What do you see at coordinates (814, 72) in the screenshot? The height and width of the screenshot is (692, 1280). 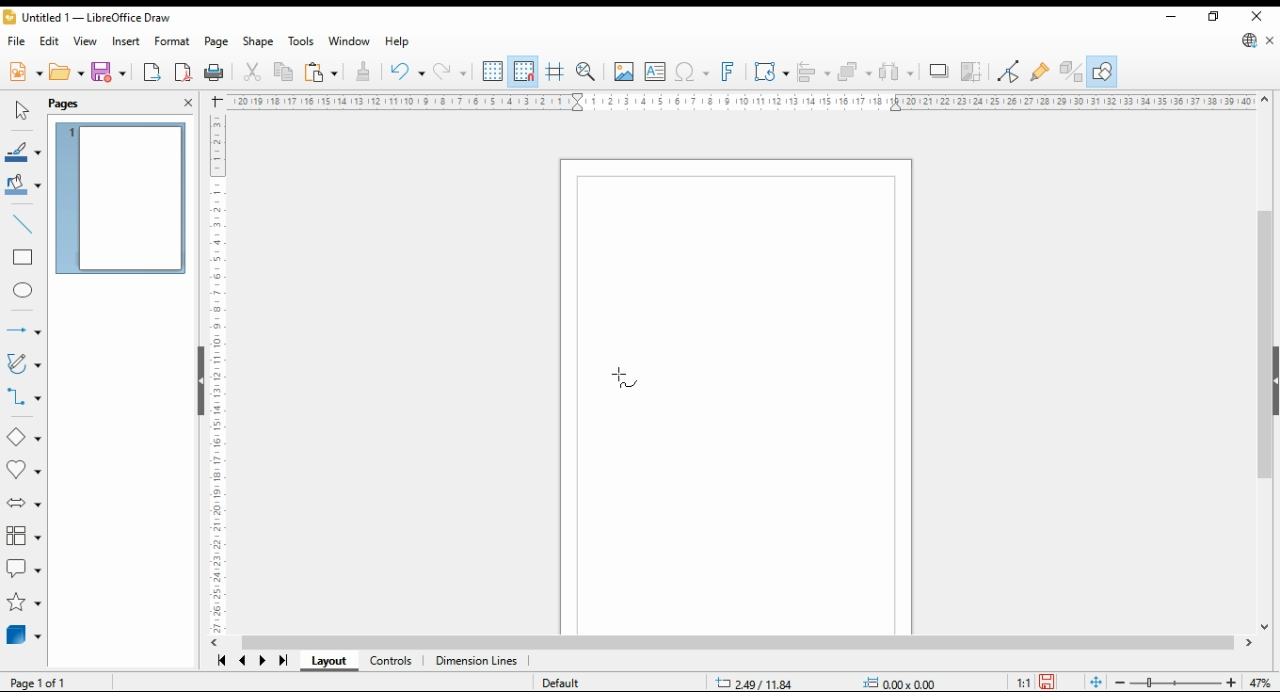 I see `align objects` at bounding box center [814, 72].